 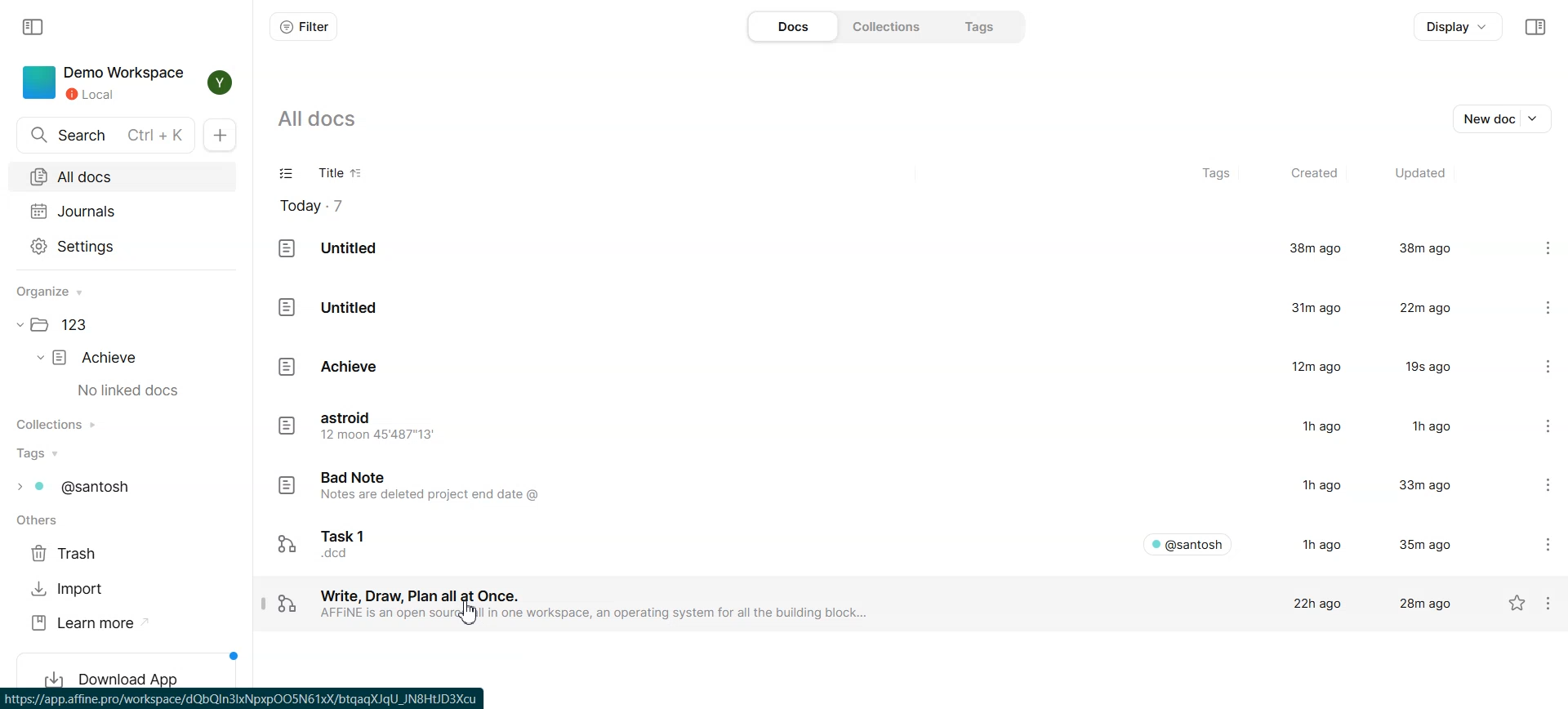 I want to click on Doc File, so click(x=878, y=249).